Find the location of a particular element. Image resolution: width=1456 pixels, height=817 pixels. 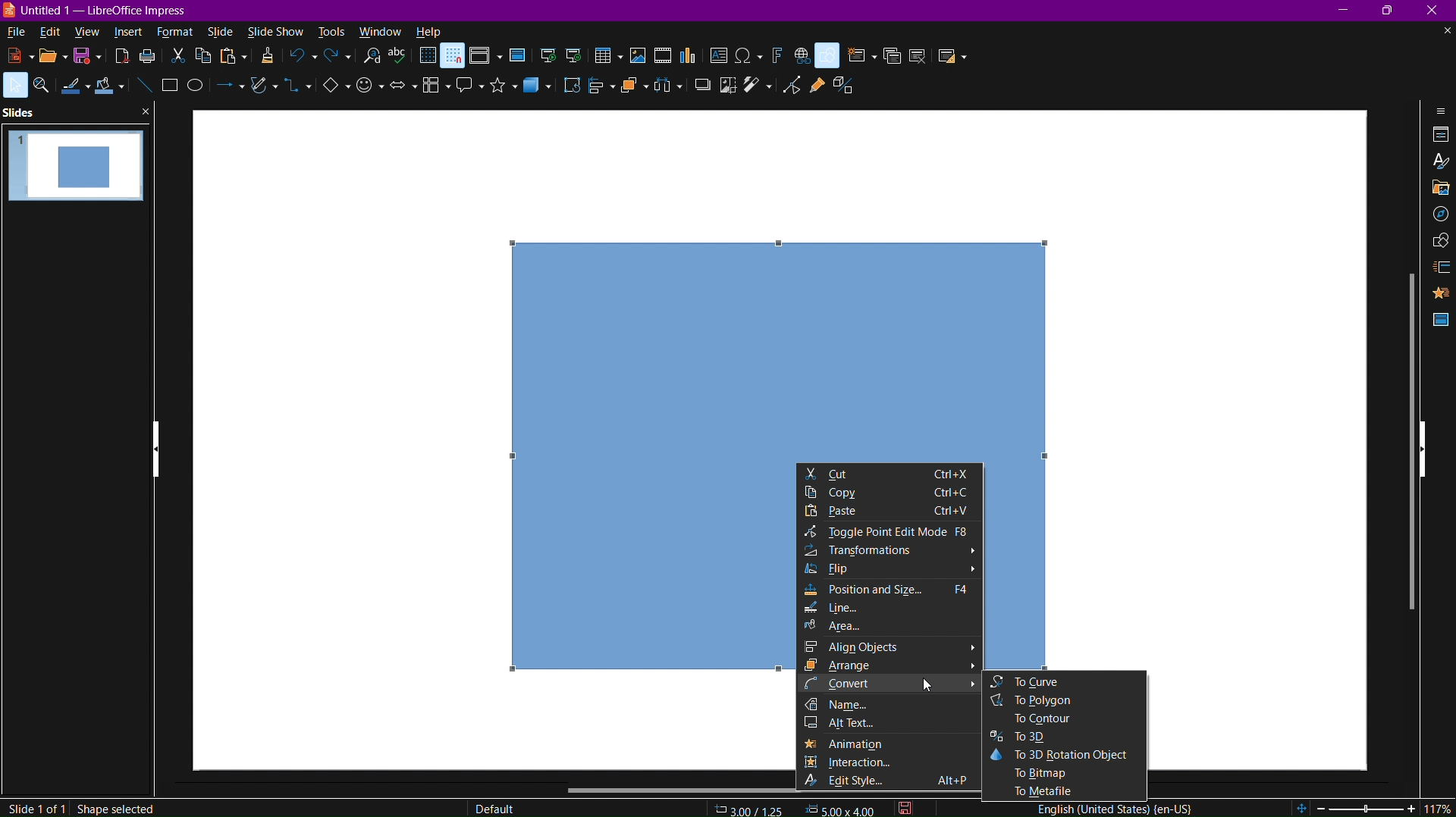

Default is located at coordinates (494, 806).